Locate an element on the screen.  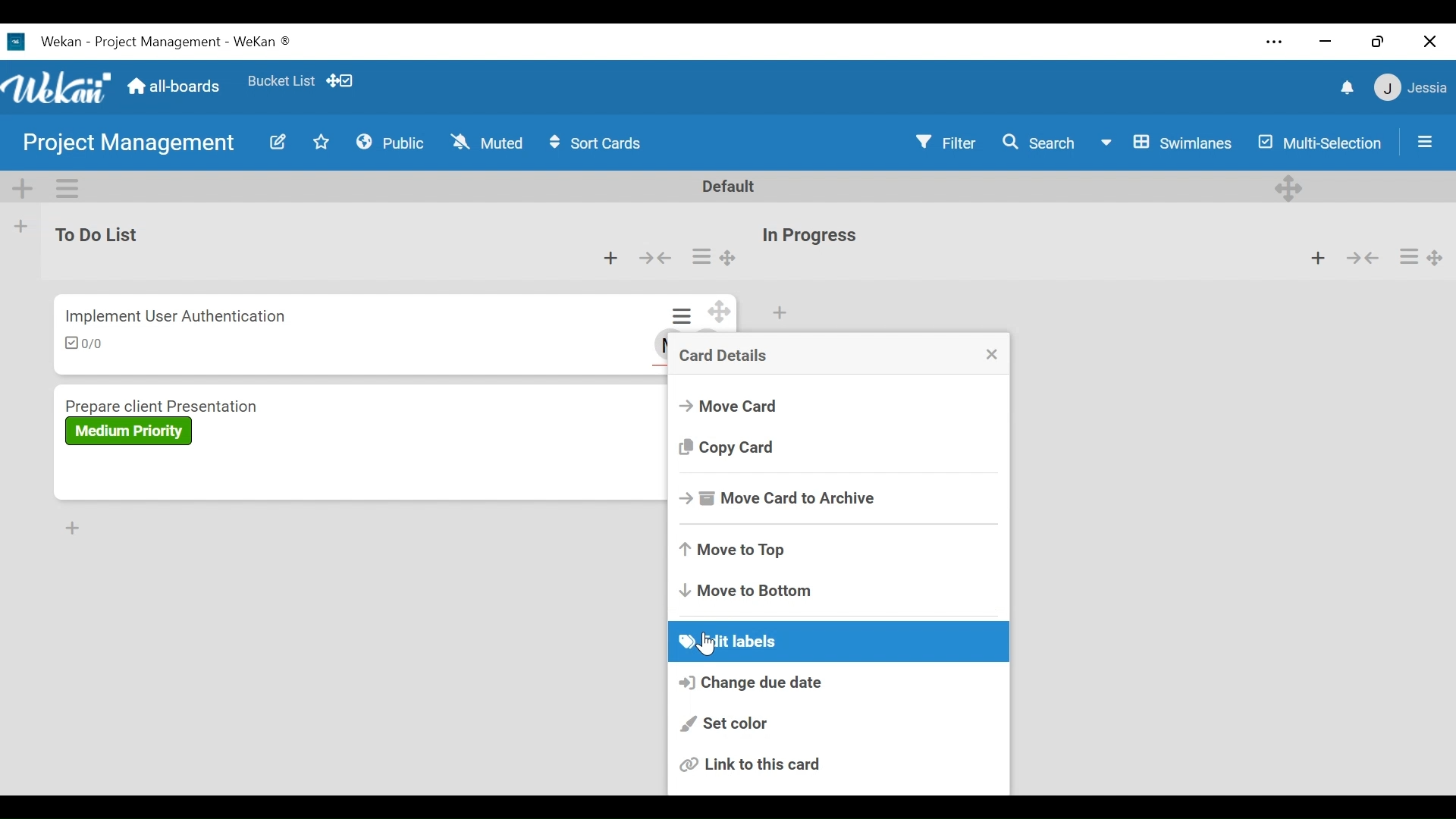
Move card to Archive is located at coordinates (779, 498).